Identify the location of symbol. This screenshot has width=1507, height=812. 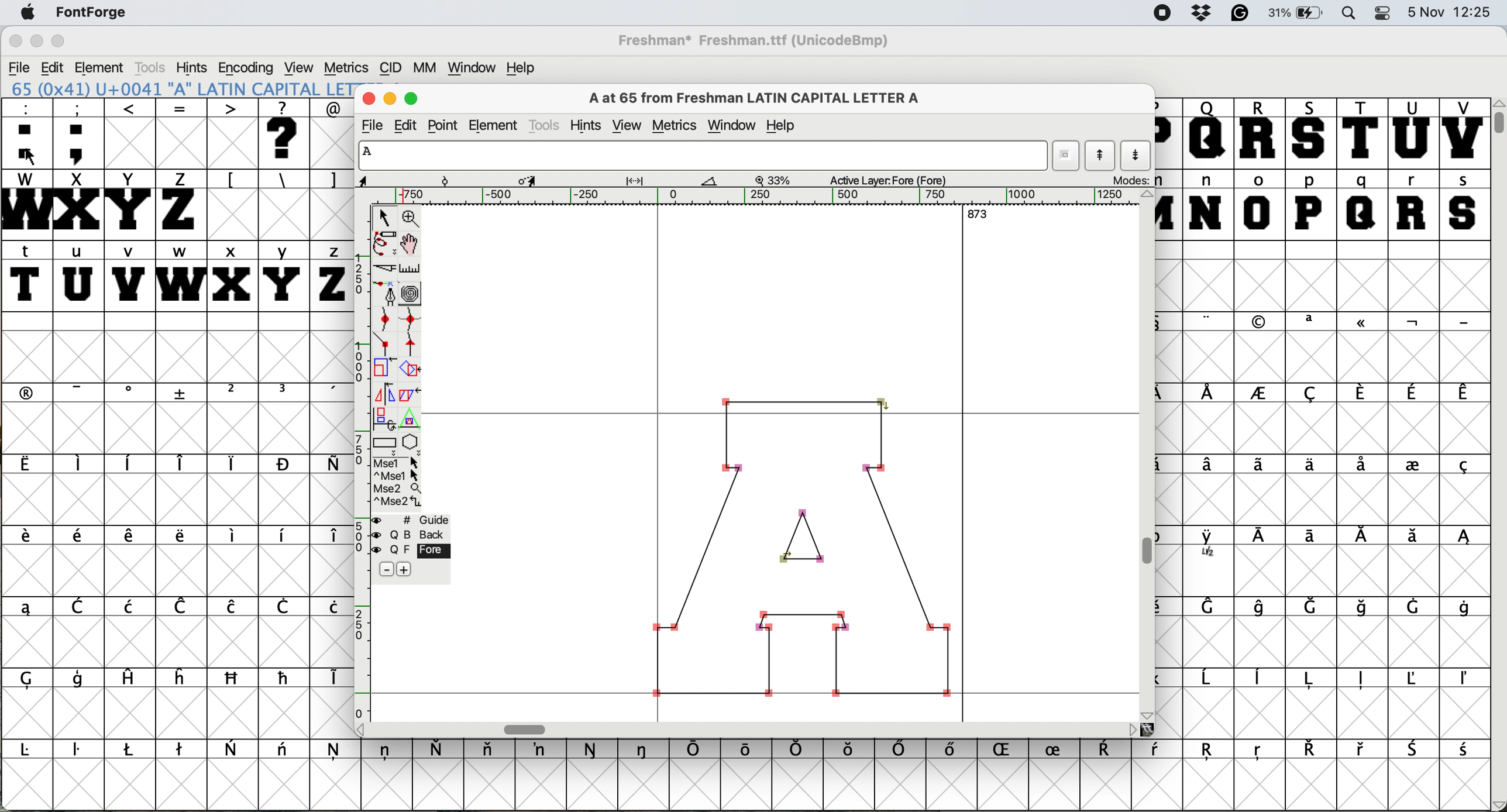
(387, 752).